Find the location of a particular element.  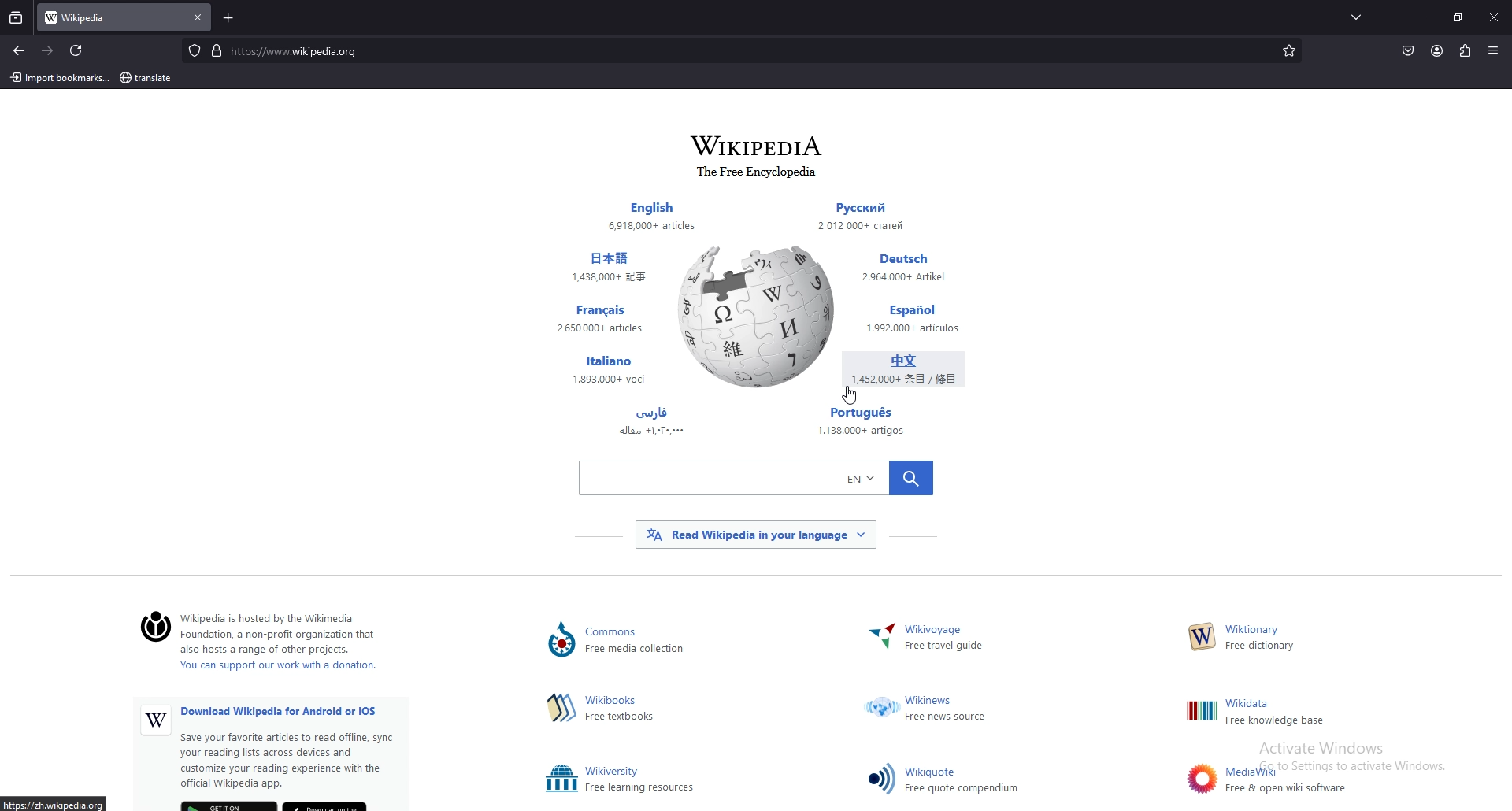

 is located at coordinates (965, 781).